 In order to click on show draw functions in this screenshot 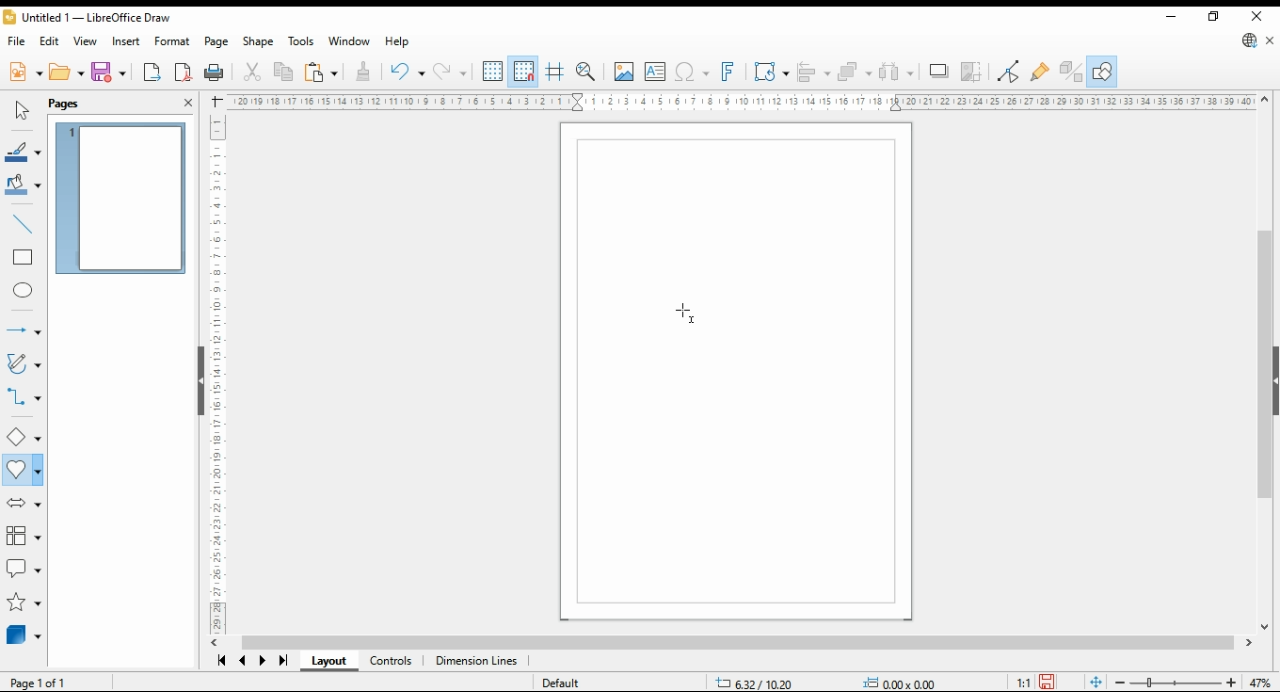, I will do `click(1102, 71)`.